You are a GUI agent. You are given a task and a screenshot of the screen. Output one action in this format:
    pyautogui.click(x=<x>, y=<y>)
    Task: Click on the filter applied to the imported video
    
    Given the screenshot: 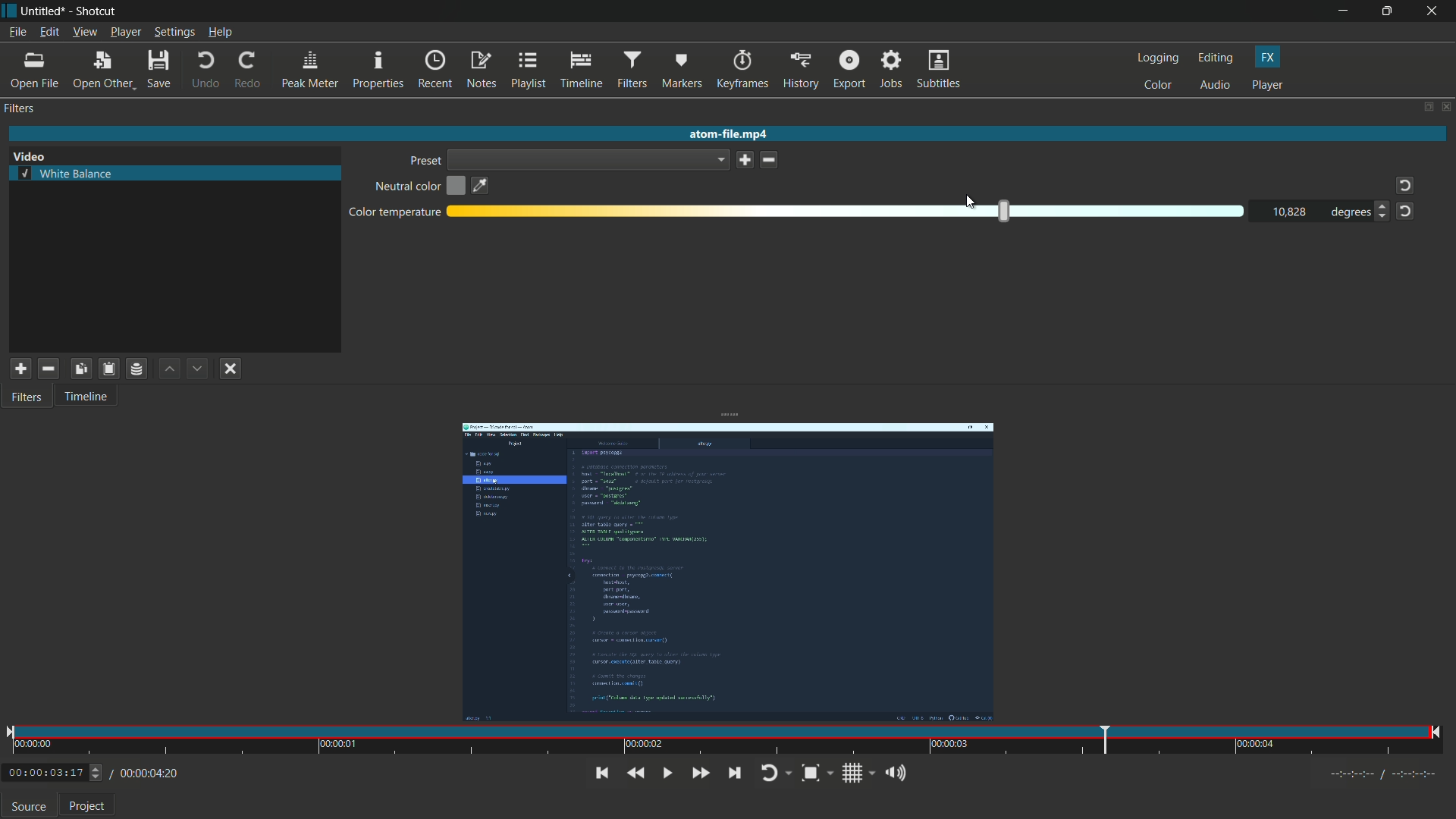 What is the action you would take?
    pyautogui.click(x=727, y=575)
    